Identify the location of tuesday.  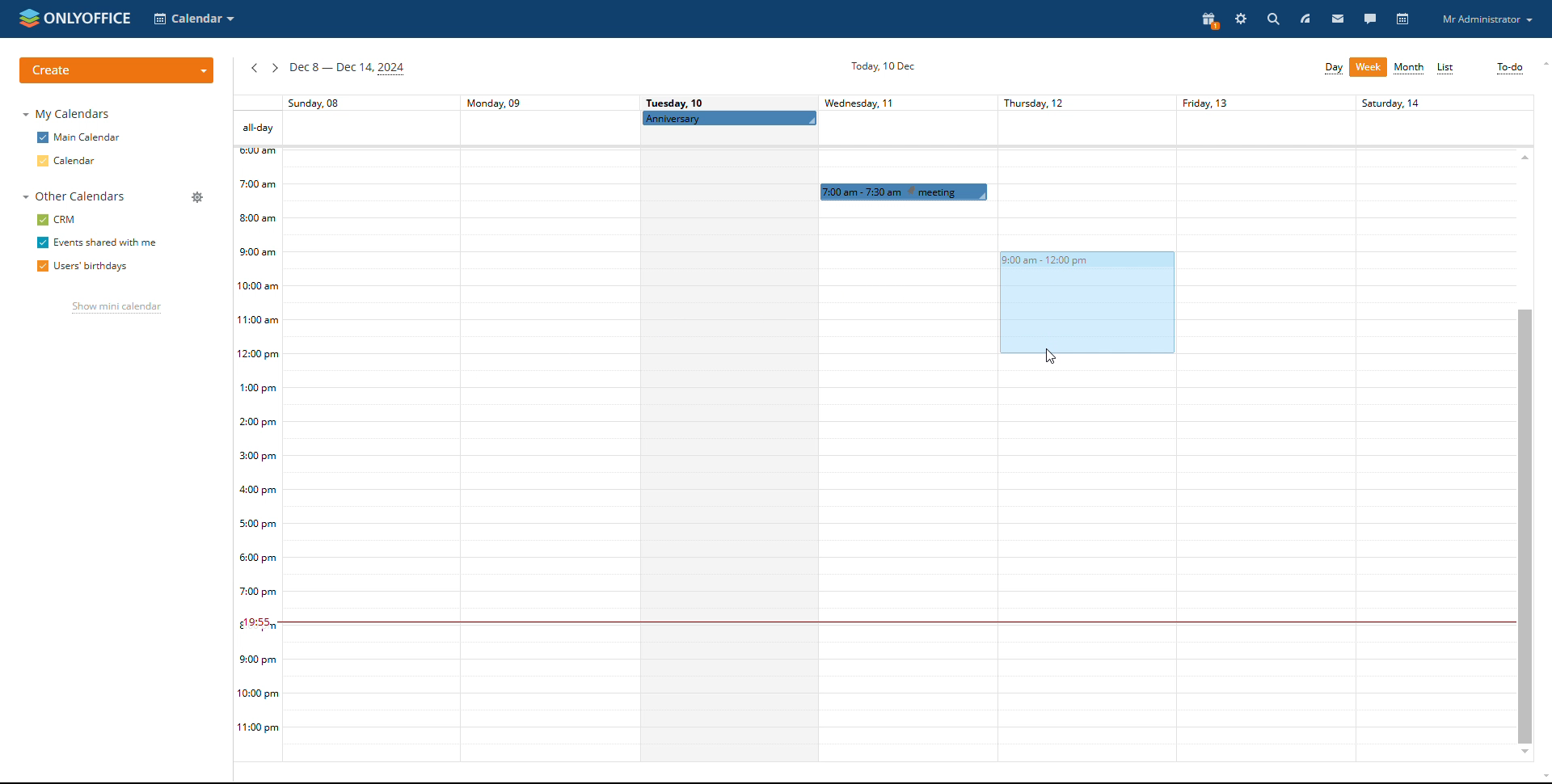
(727, 448).